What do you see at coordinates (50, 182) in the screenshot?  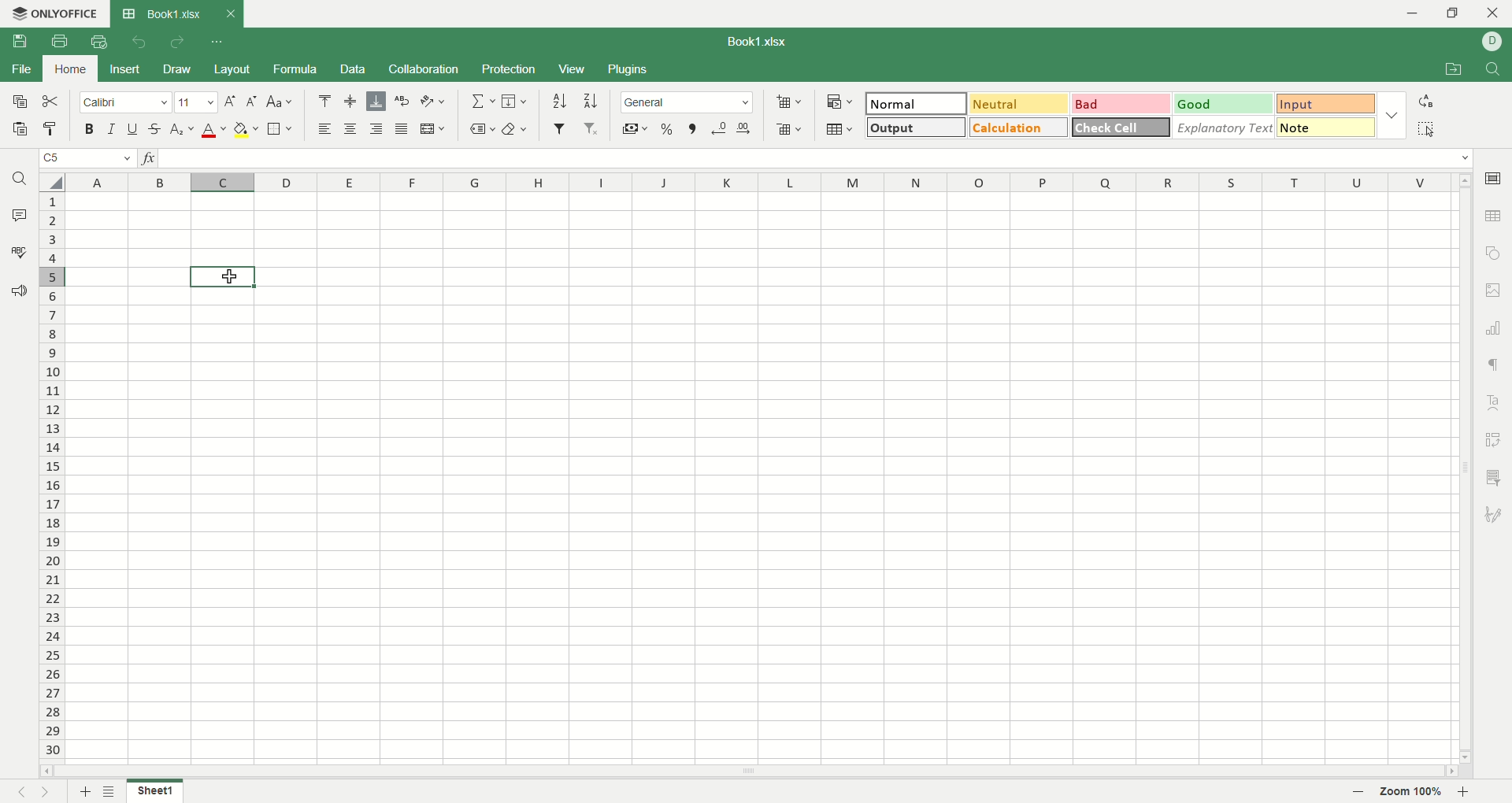 I see `select all` at bounding box center [50, 182].